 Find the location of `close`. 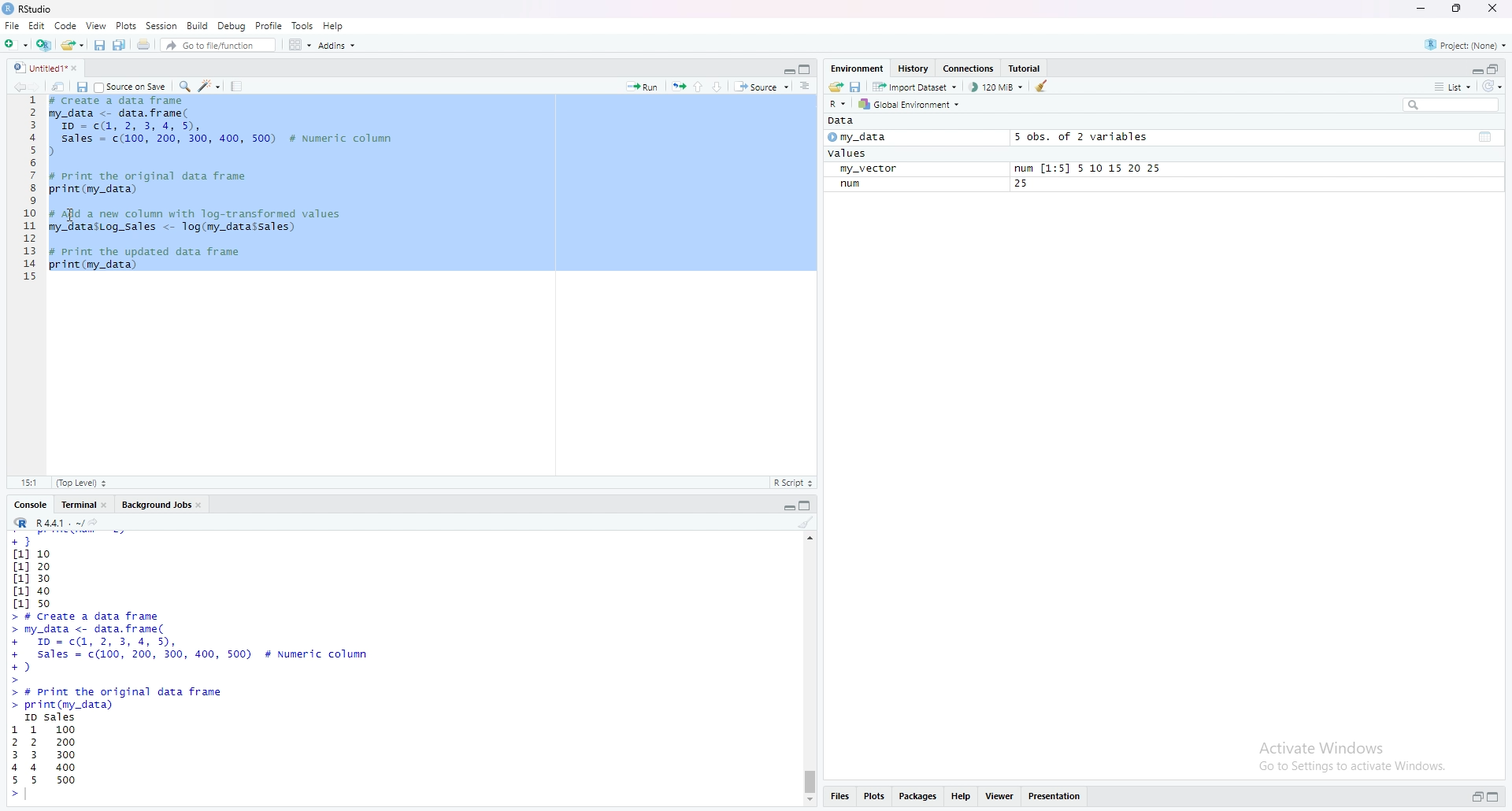

close is located at coordinates (109, 505).